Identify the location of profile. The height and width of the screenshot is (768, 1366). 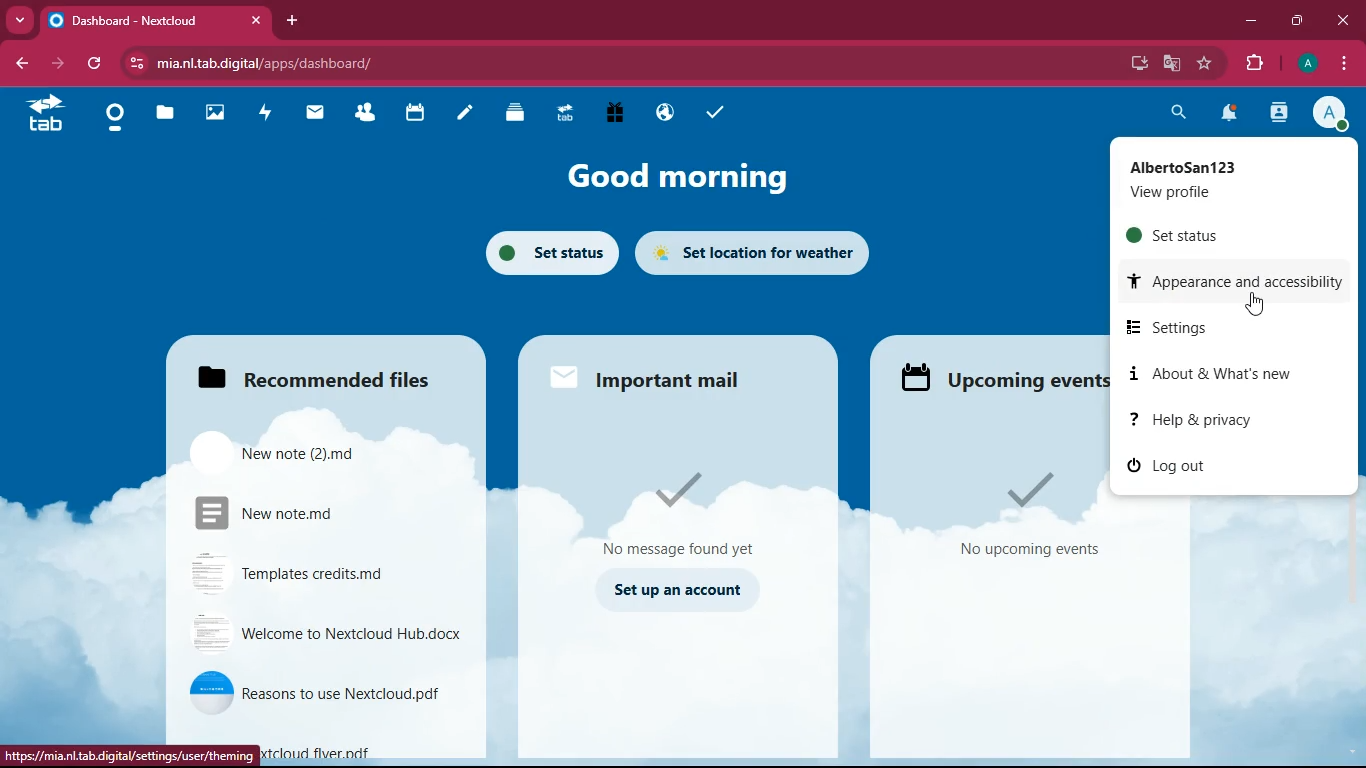
(1307, 63).